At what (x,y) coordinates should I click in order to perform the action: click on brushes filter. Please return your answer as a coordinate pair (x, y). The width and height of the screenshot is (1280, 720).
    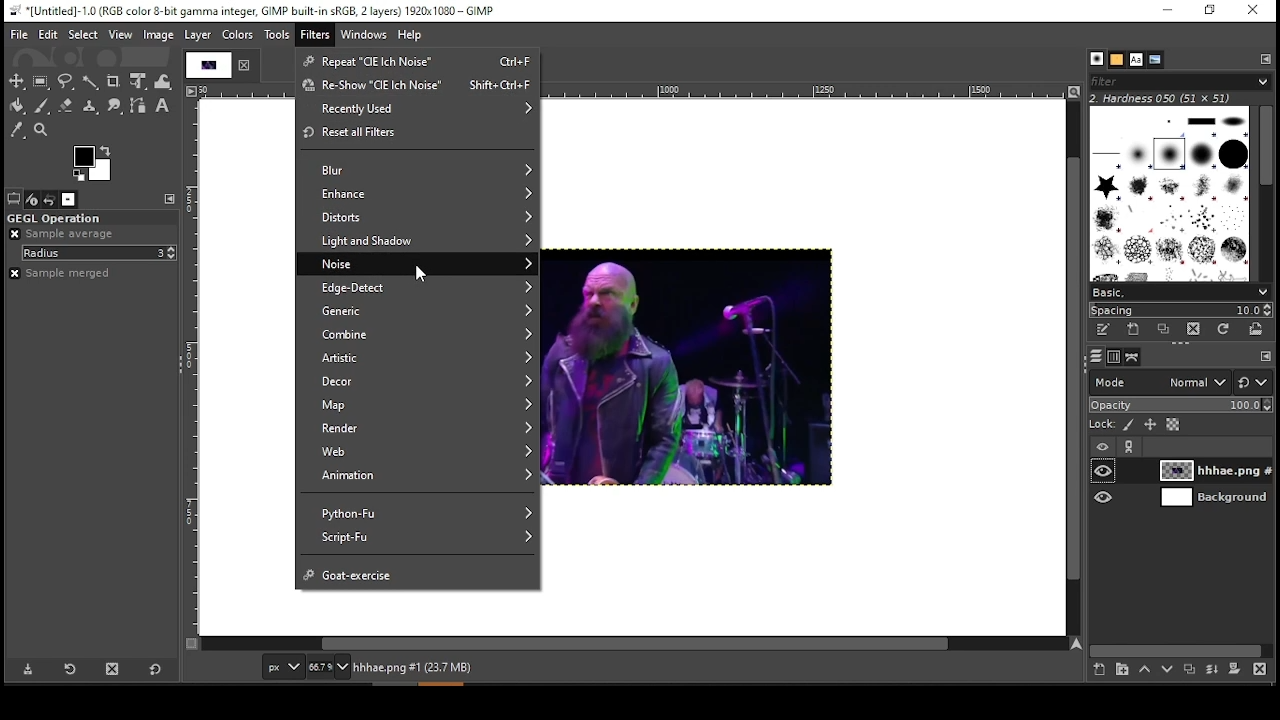
    Looking at the image, I should click on (1178, 81).